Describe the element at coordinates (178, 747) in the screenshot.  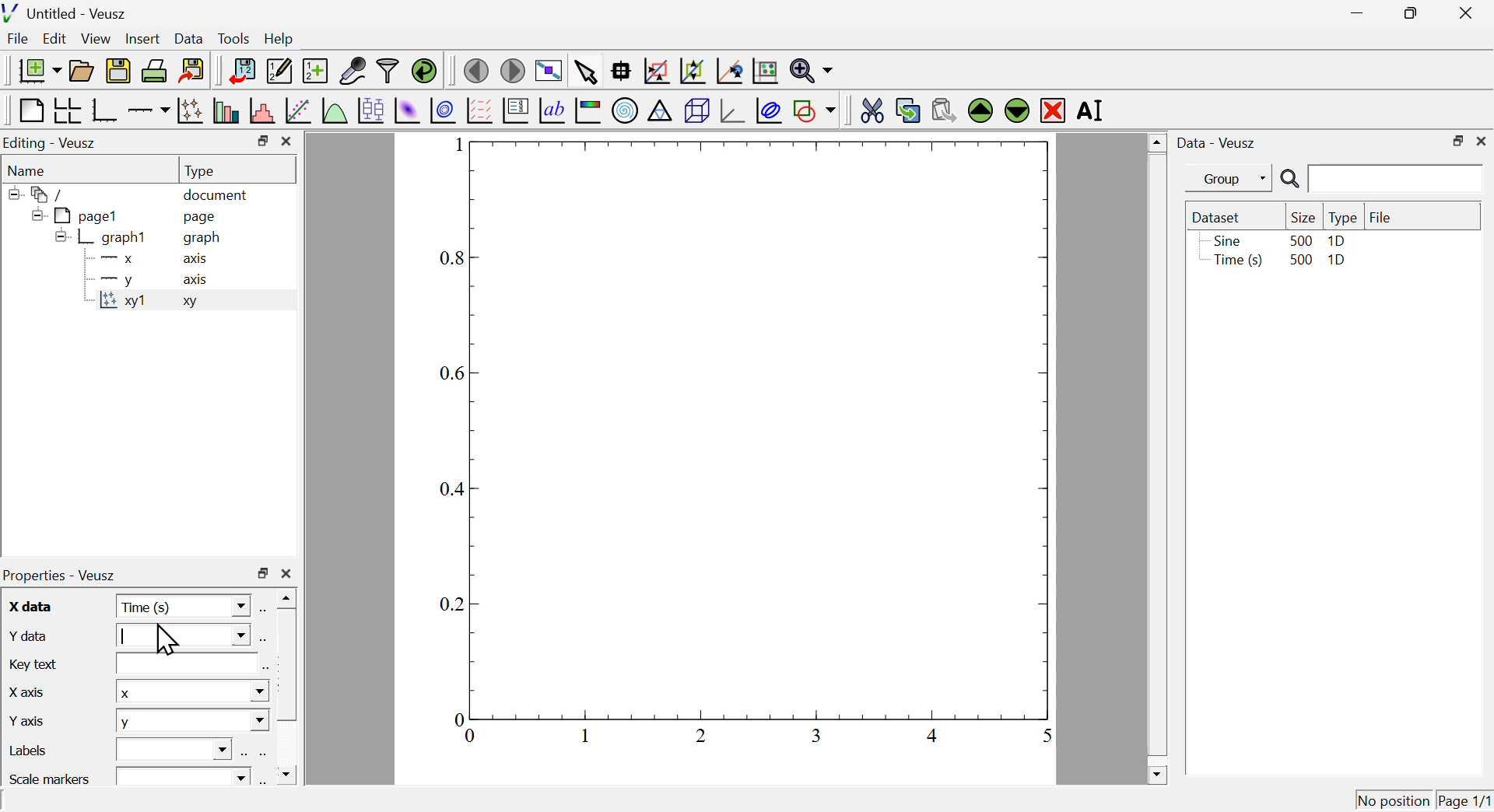
I see `text box` at that location.